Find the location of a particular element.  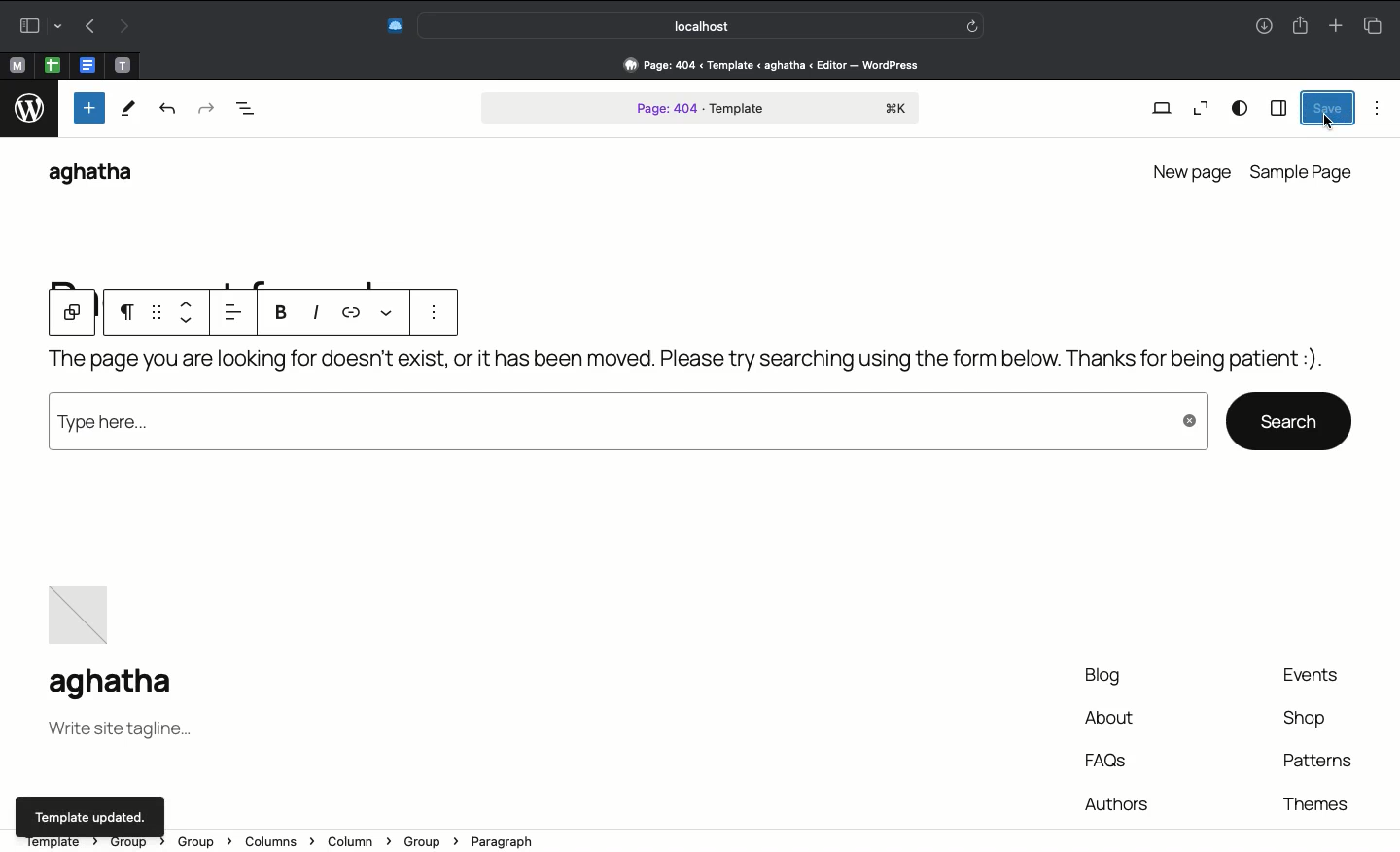

Document overview is located at coordinates (246, 111).